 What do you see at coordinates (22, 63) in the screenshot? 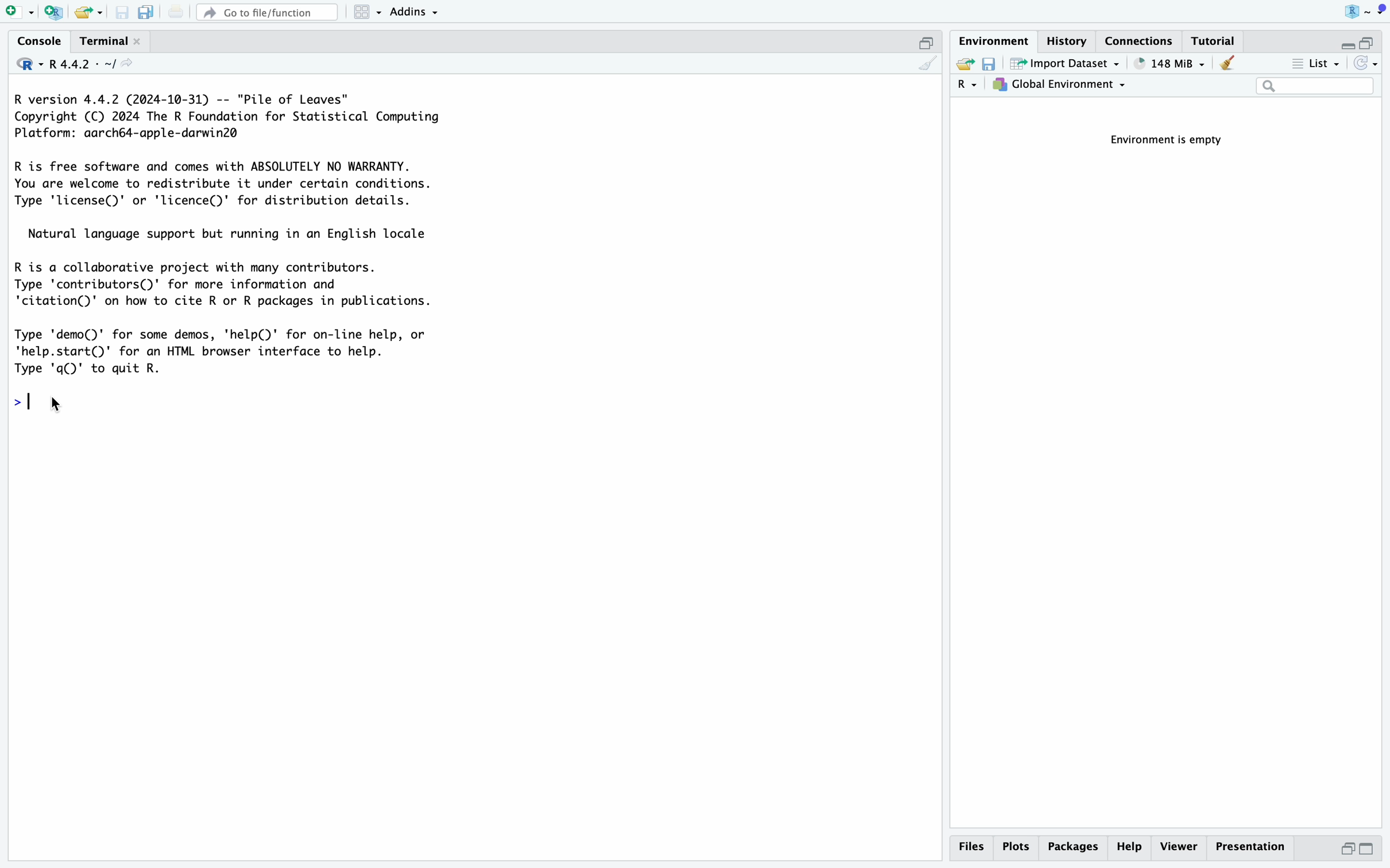
I see `language select` at bounding box center [22, 63].